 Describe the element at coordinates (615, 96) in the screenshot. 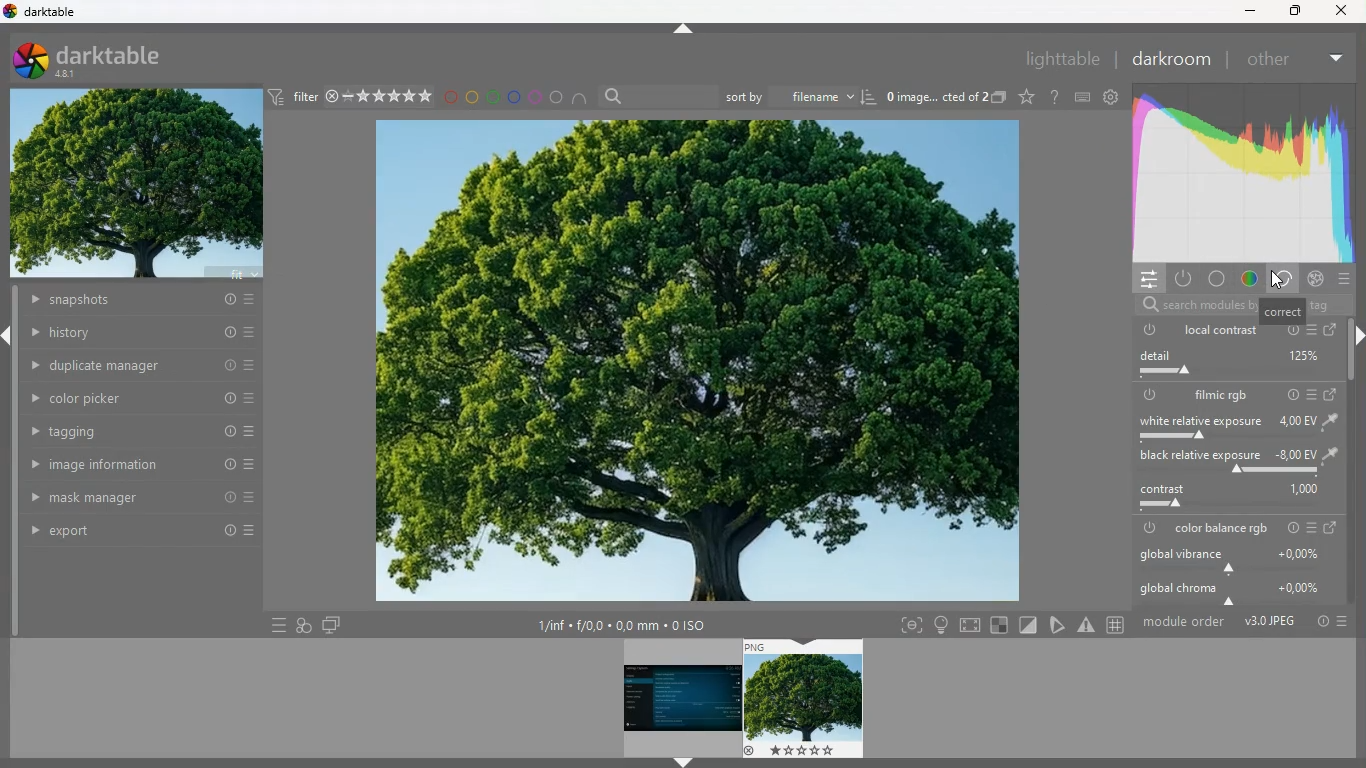

I see `search` at that location.